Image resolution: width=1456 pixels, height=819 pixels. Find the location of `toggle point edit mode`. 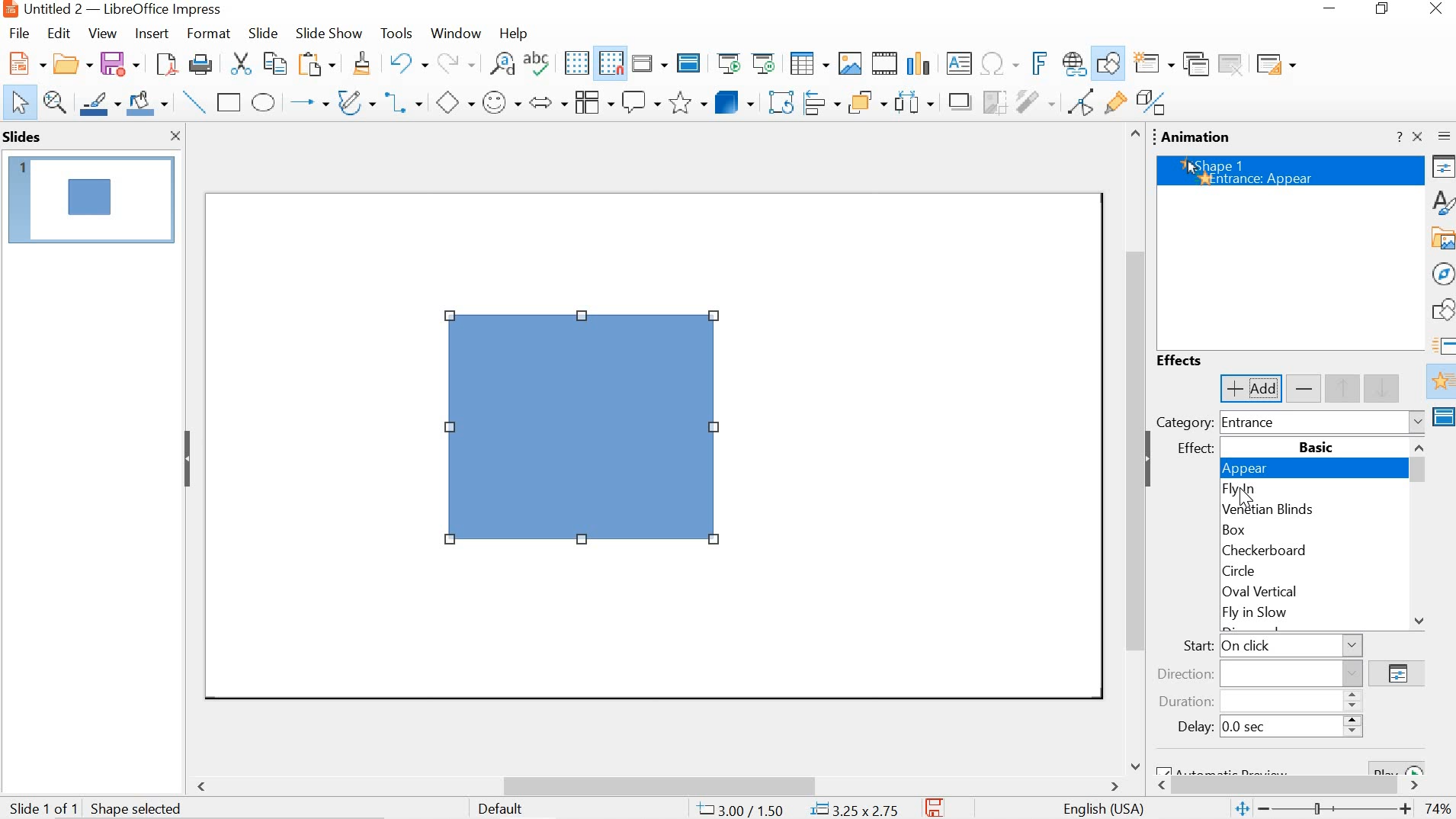

toggle point edit mode is located at coordinates (1081, 101).